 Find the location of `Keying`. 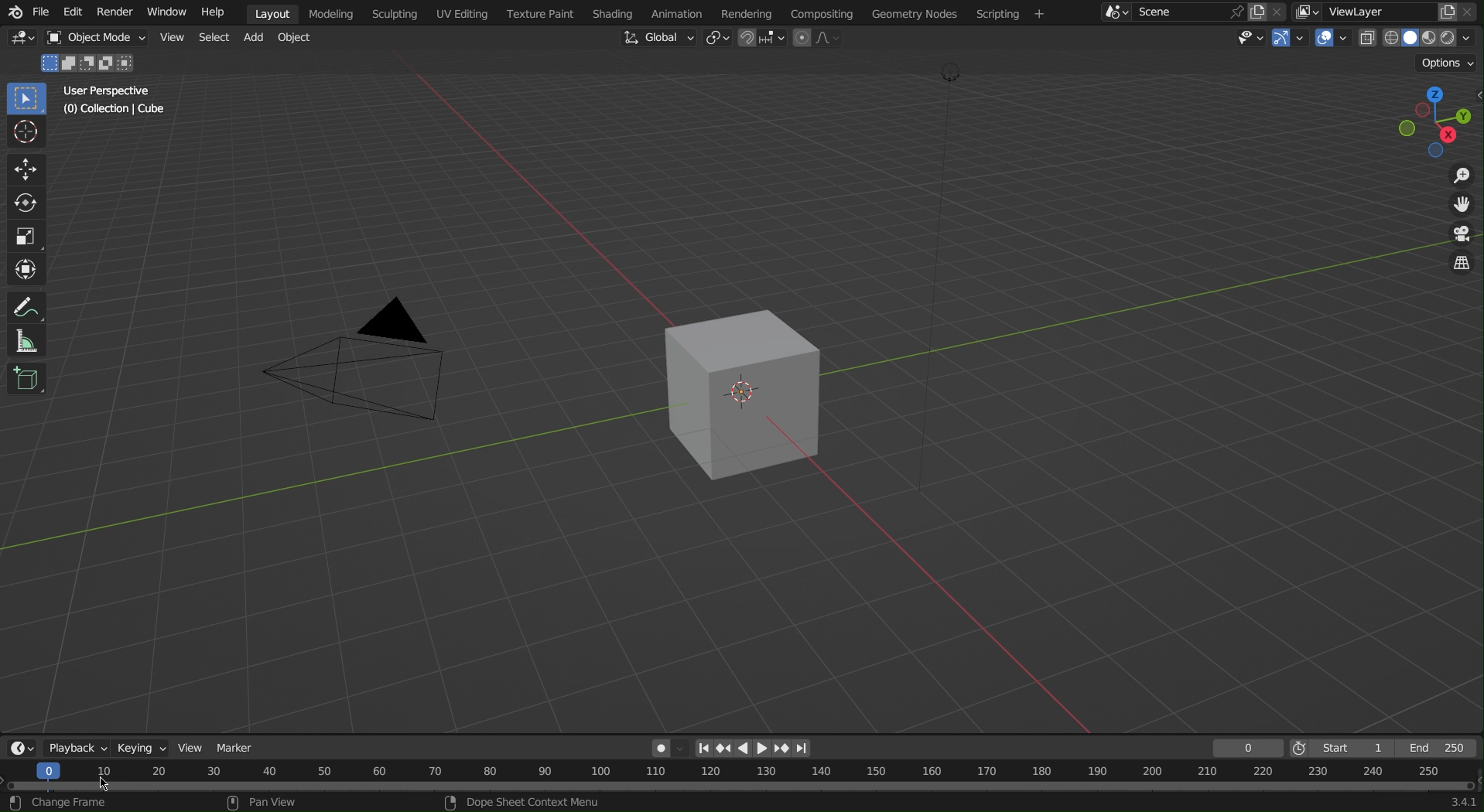

Keying is located at coordinates (144, 747).